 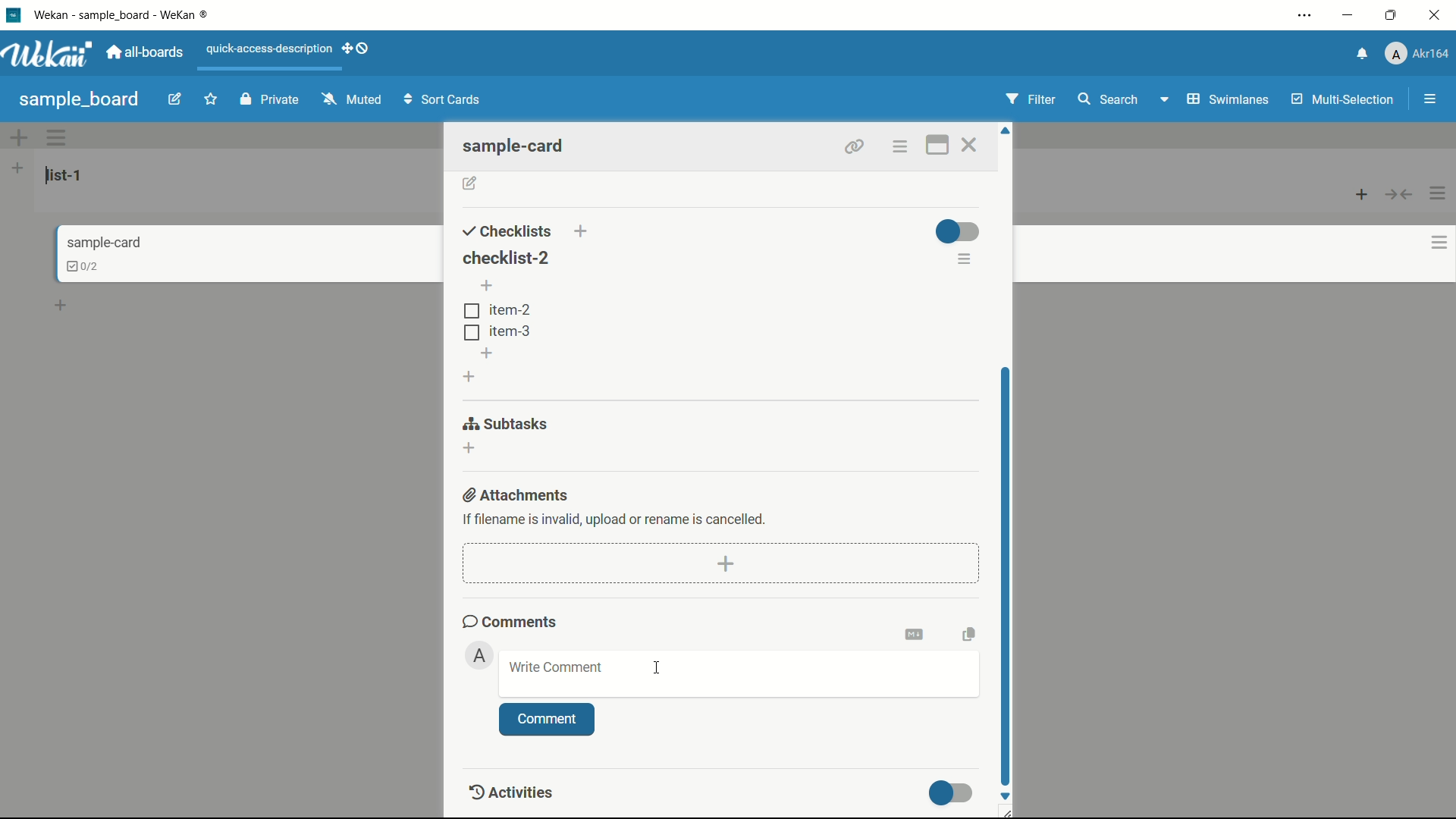 I want to click on star this board, so click(x=212, y=101).